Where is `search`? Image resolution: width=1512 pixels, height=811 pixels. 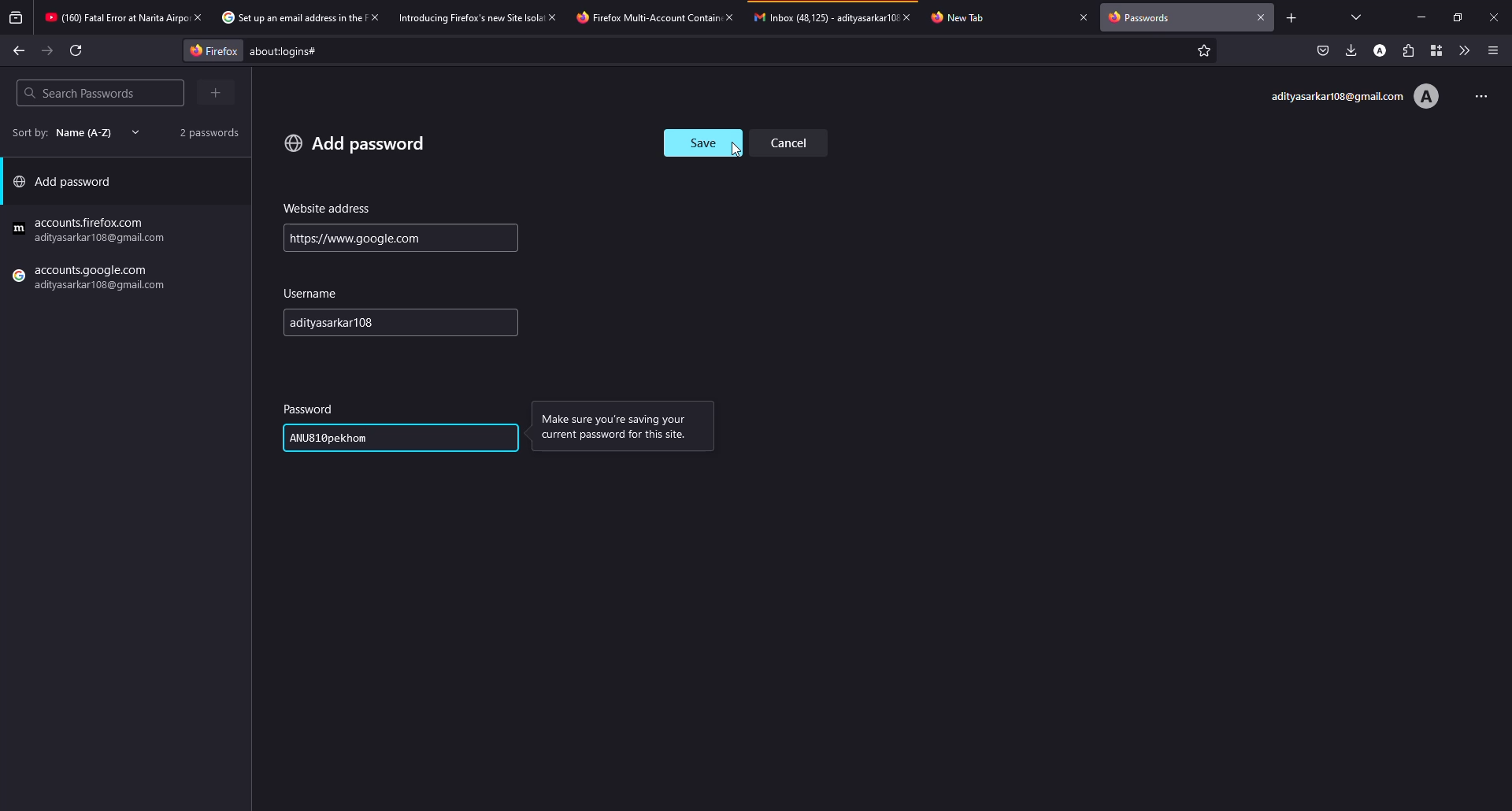 search is located at coordinates (79, 93).